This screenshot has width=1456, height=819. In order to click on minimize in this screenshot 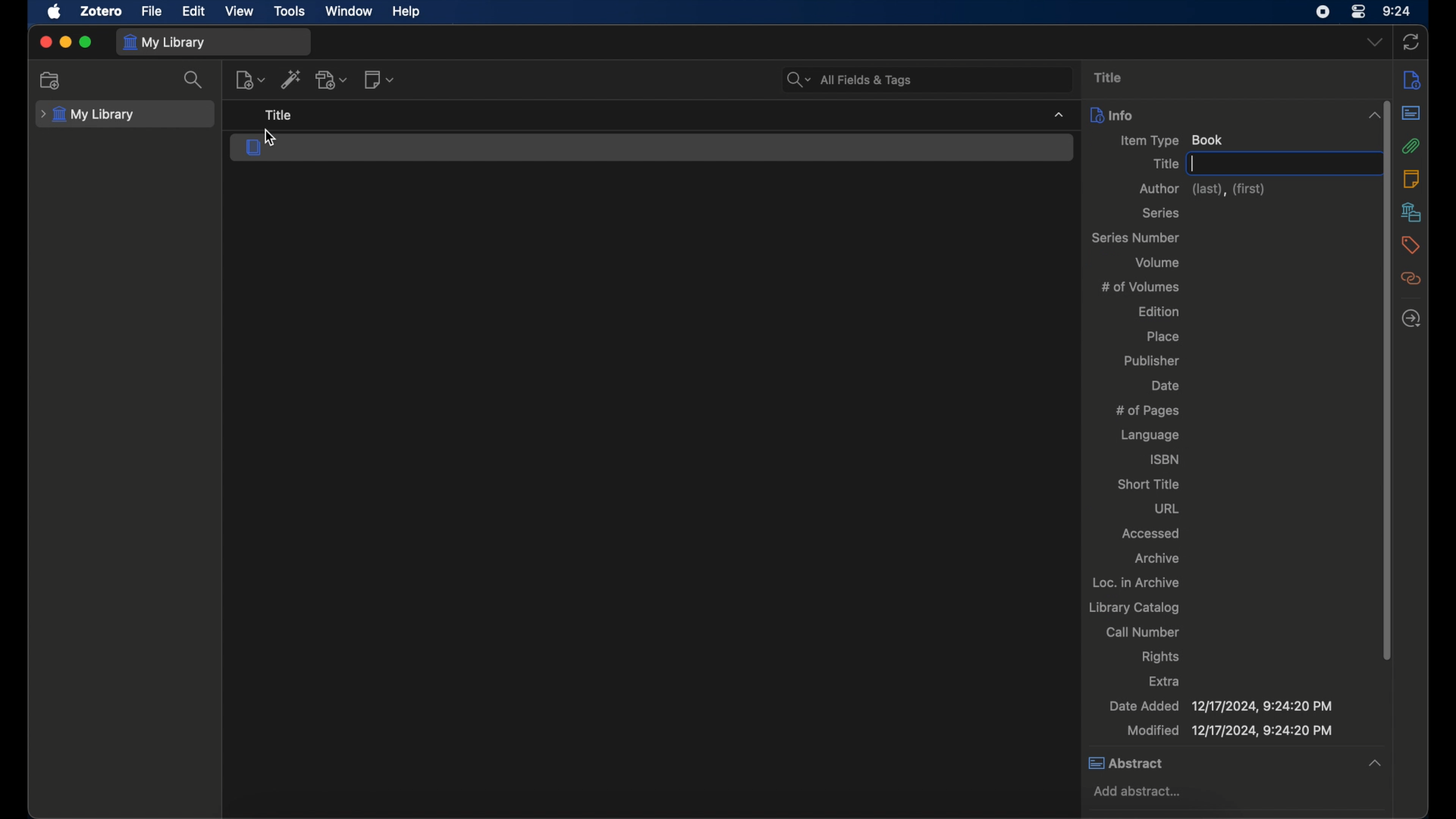, I will do `click(64, 42)`.